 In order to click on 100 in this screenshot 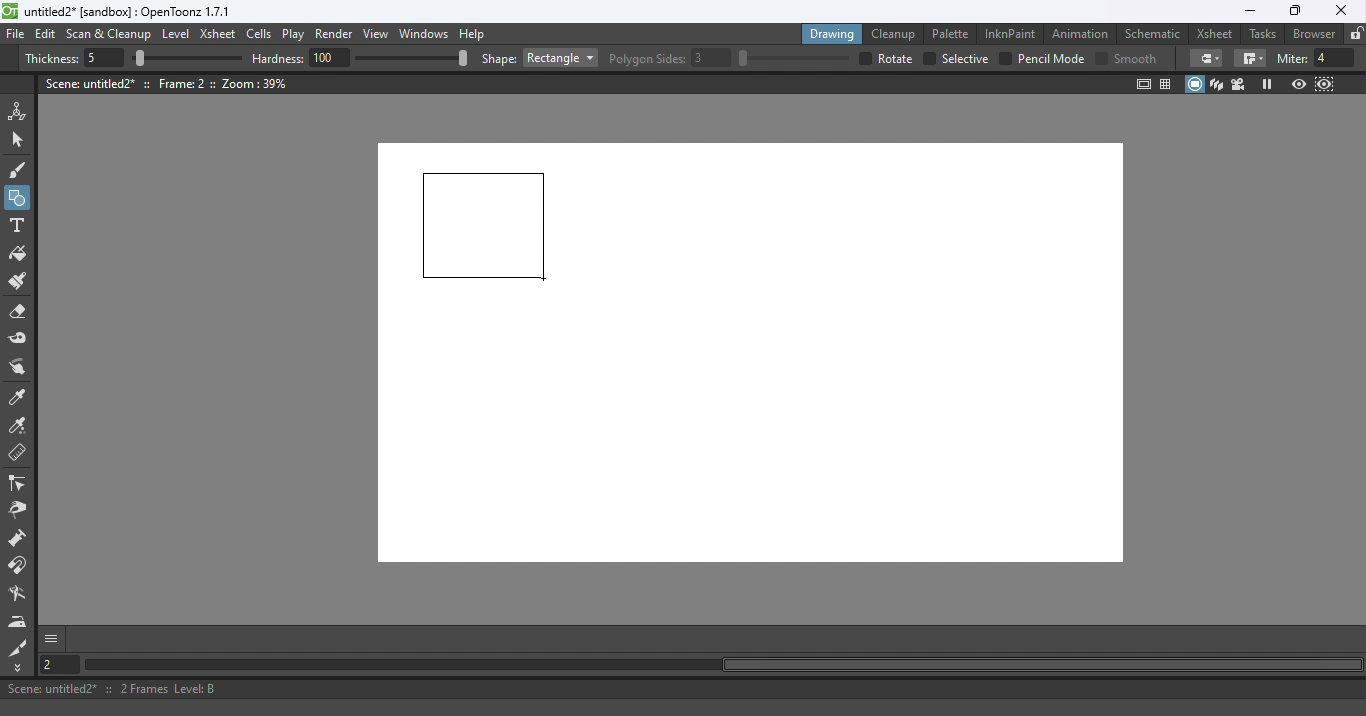, I will do `click(330, 57)`.